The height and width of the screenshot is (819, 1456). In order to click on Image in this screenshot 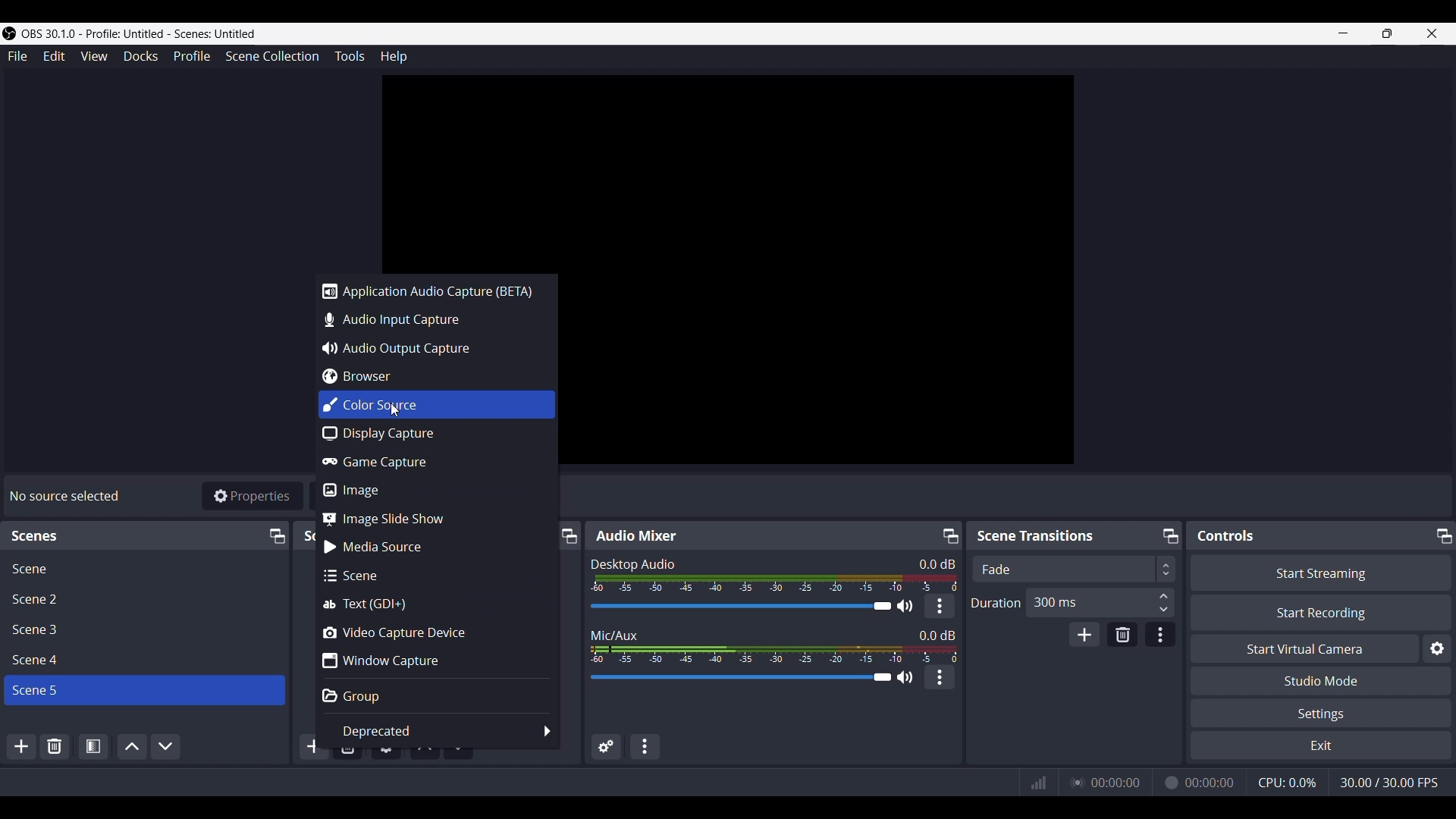, I will do `click(434, 490)`.